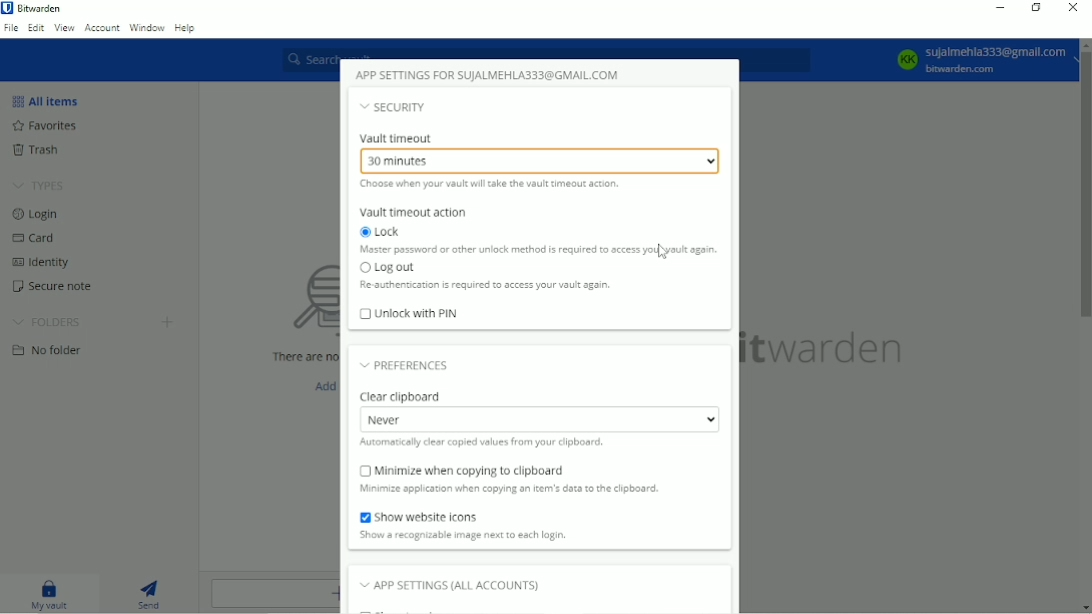  I want to click on On restart, so click(543, 160).